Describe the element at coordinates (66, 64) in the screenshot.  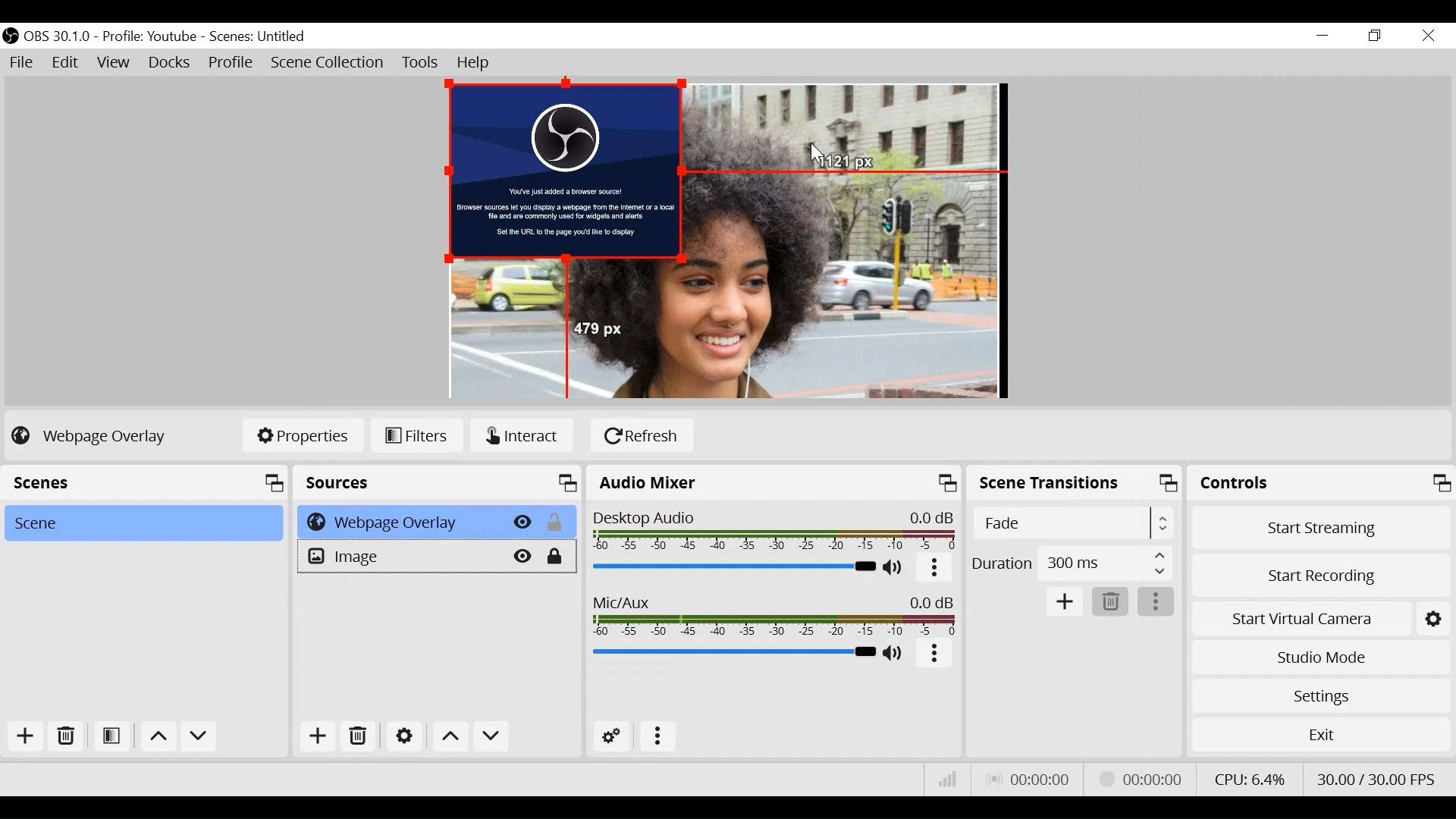
I see `Edit` at that location.